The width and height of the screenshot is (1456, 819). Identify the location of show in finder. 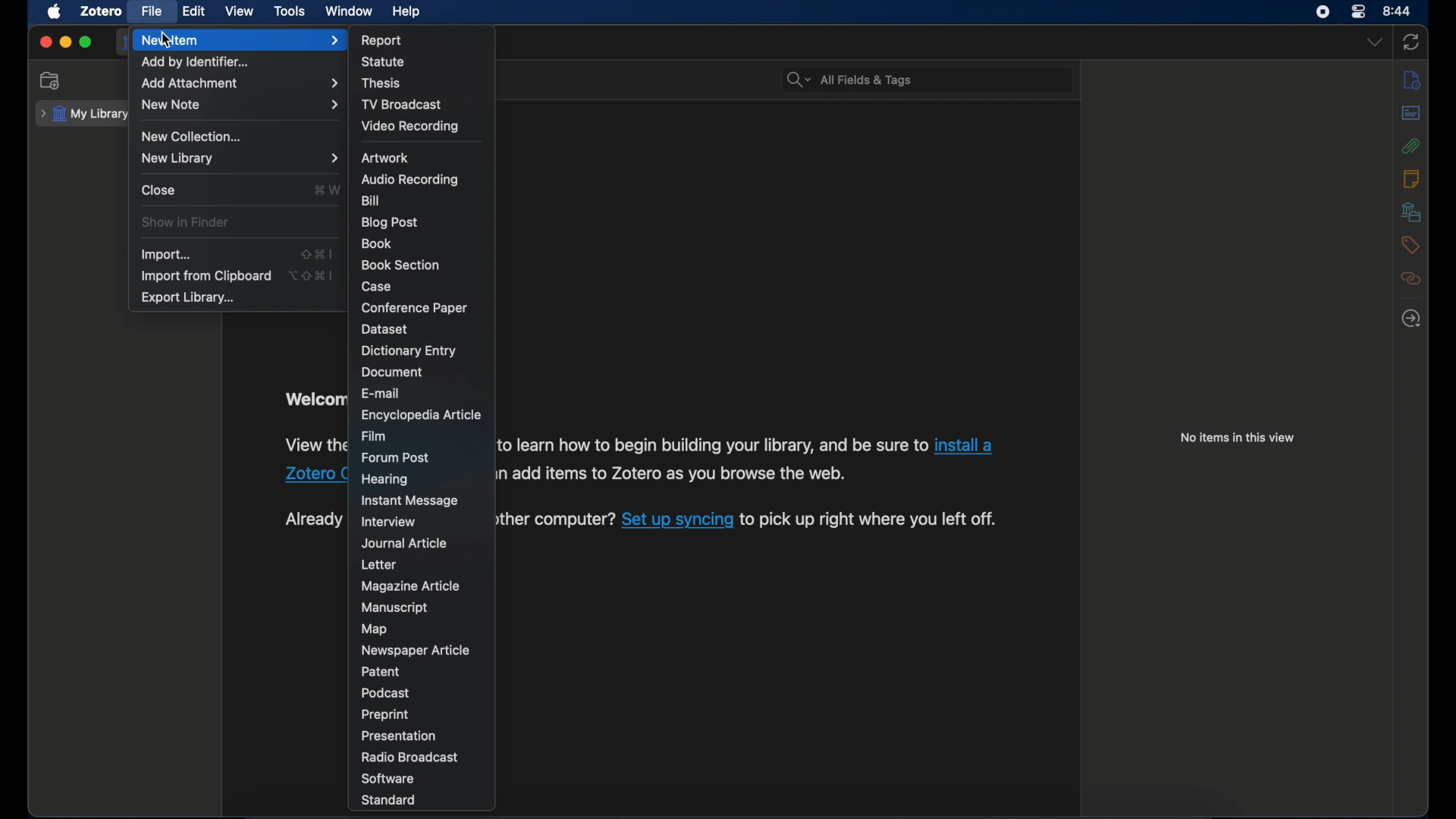
(186, 222).